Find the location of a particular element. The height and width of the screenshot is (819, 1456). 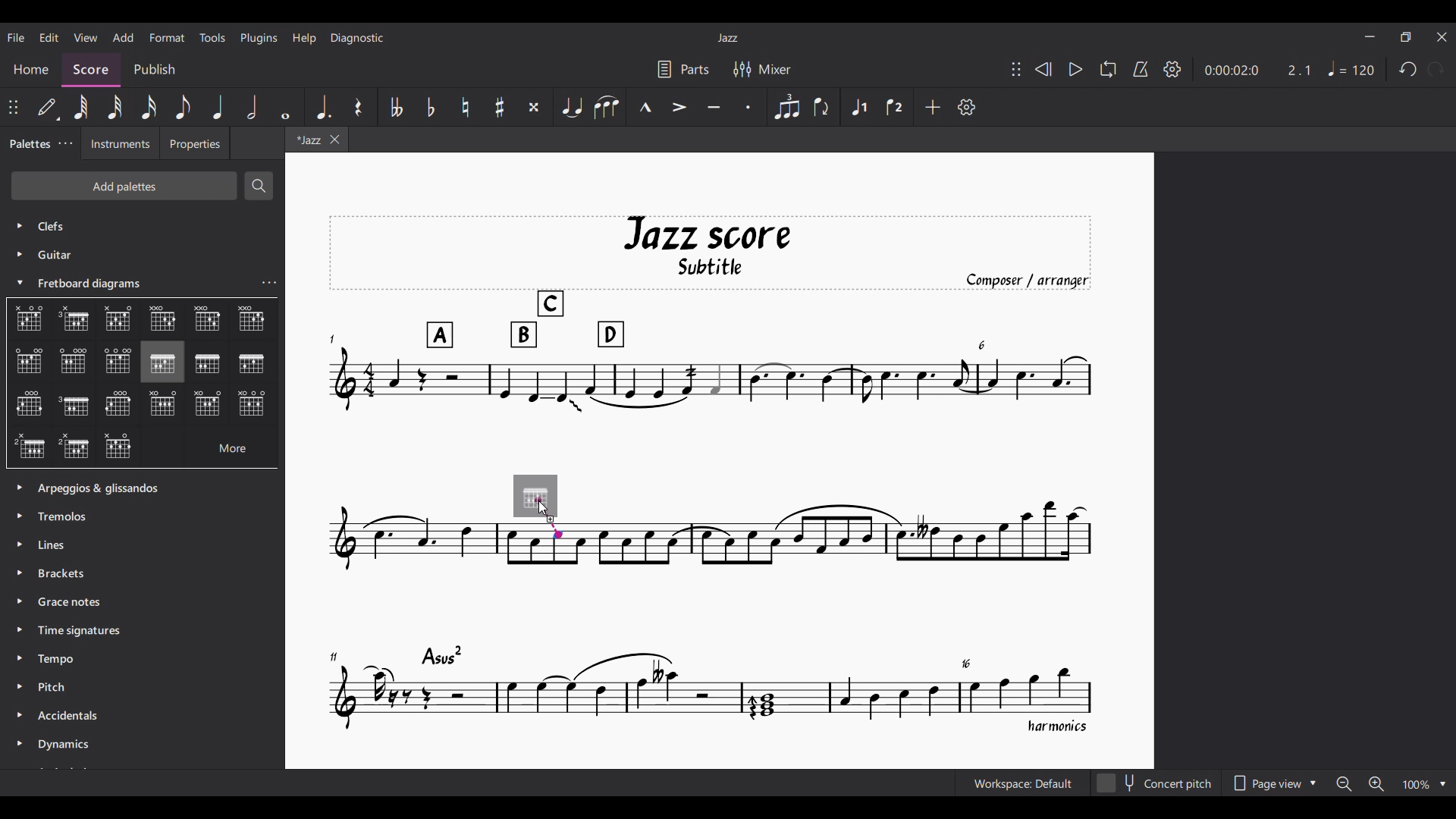

Settings is located at coordinates (1172, 70).